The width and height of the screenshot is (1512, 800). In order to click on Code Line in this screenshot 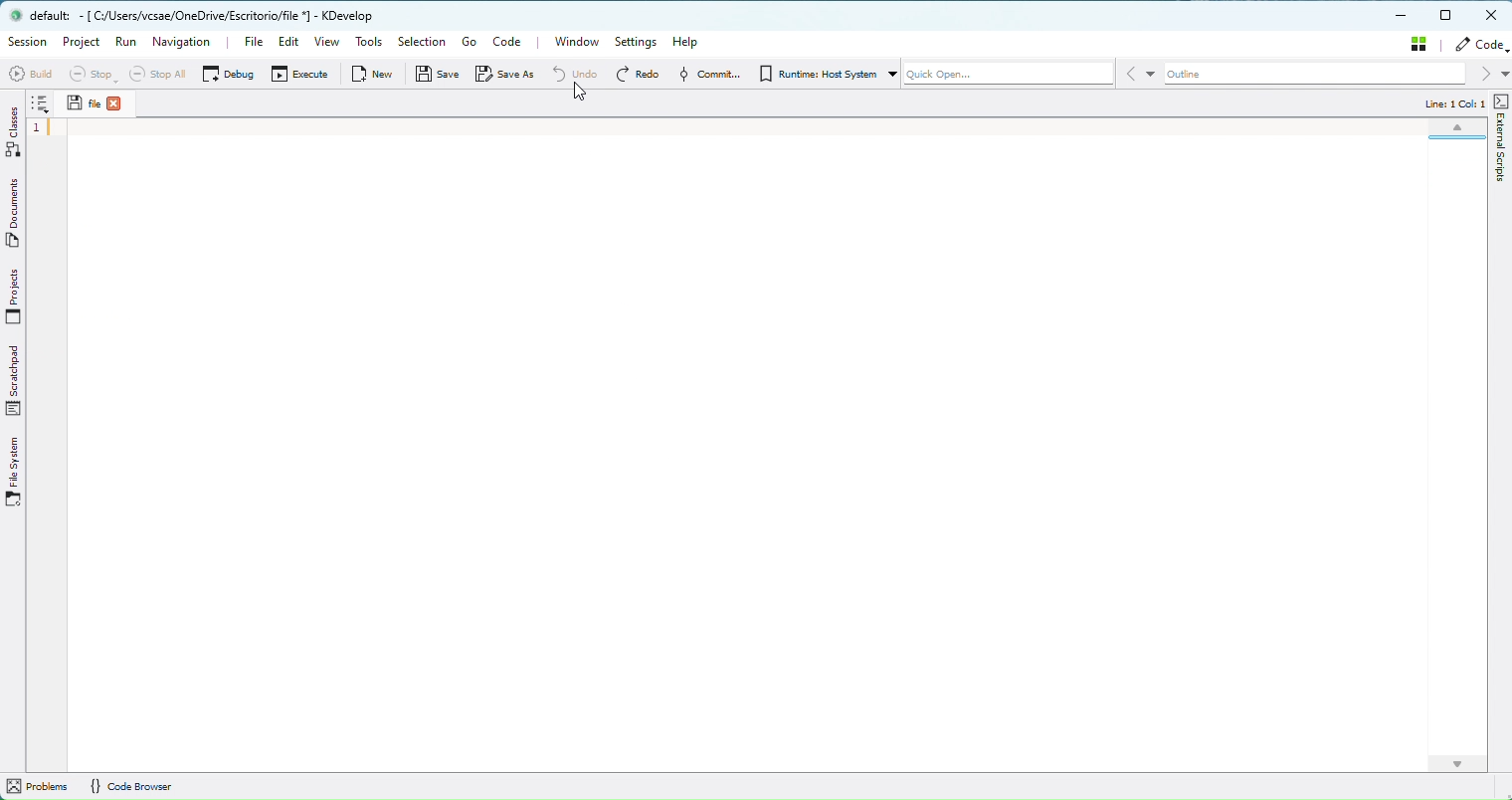, I will do `click(44, 125)`.